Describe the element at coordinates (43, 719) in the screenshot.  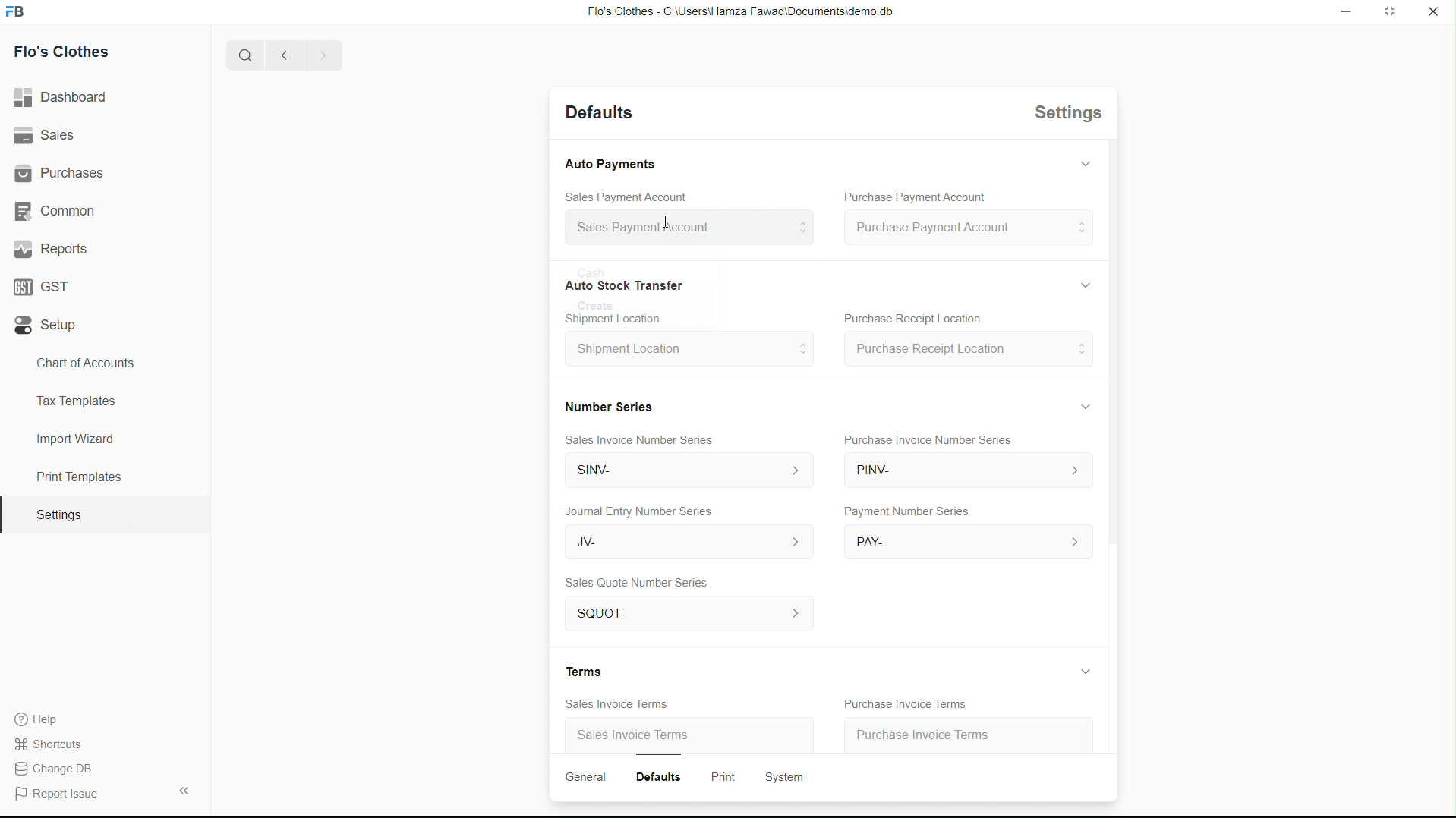
I see `Help` at that location.